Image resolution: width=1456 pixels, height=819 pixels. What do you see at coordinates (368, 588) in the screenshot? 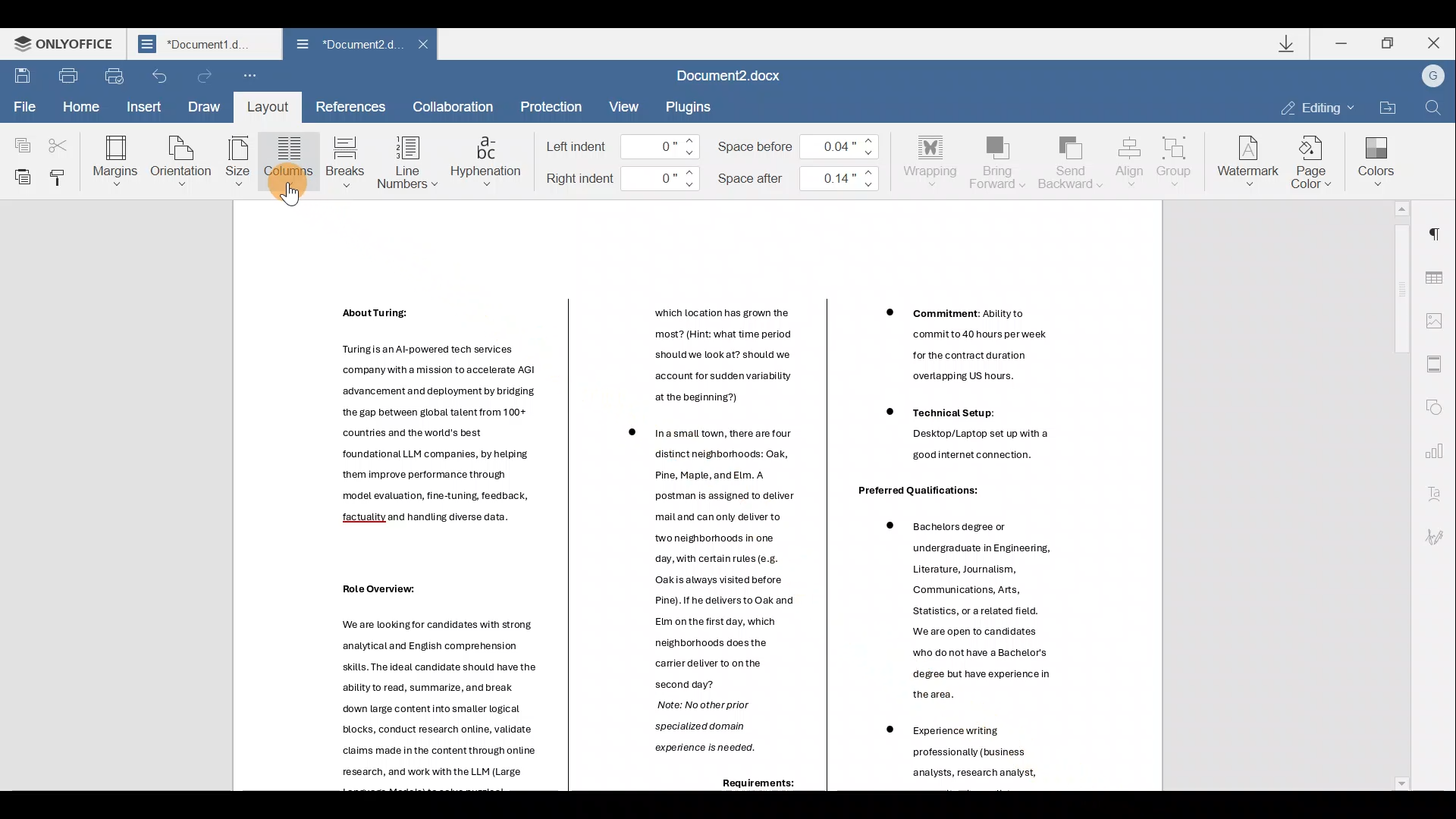
I see `` at bounding box center [368, 588].